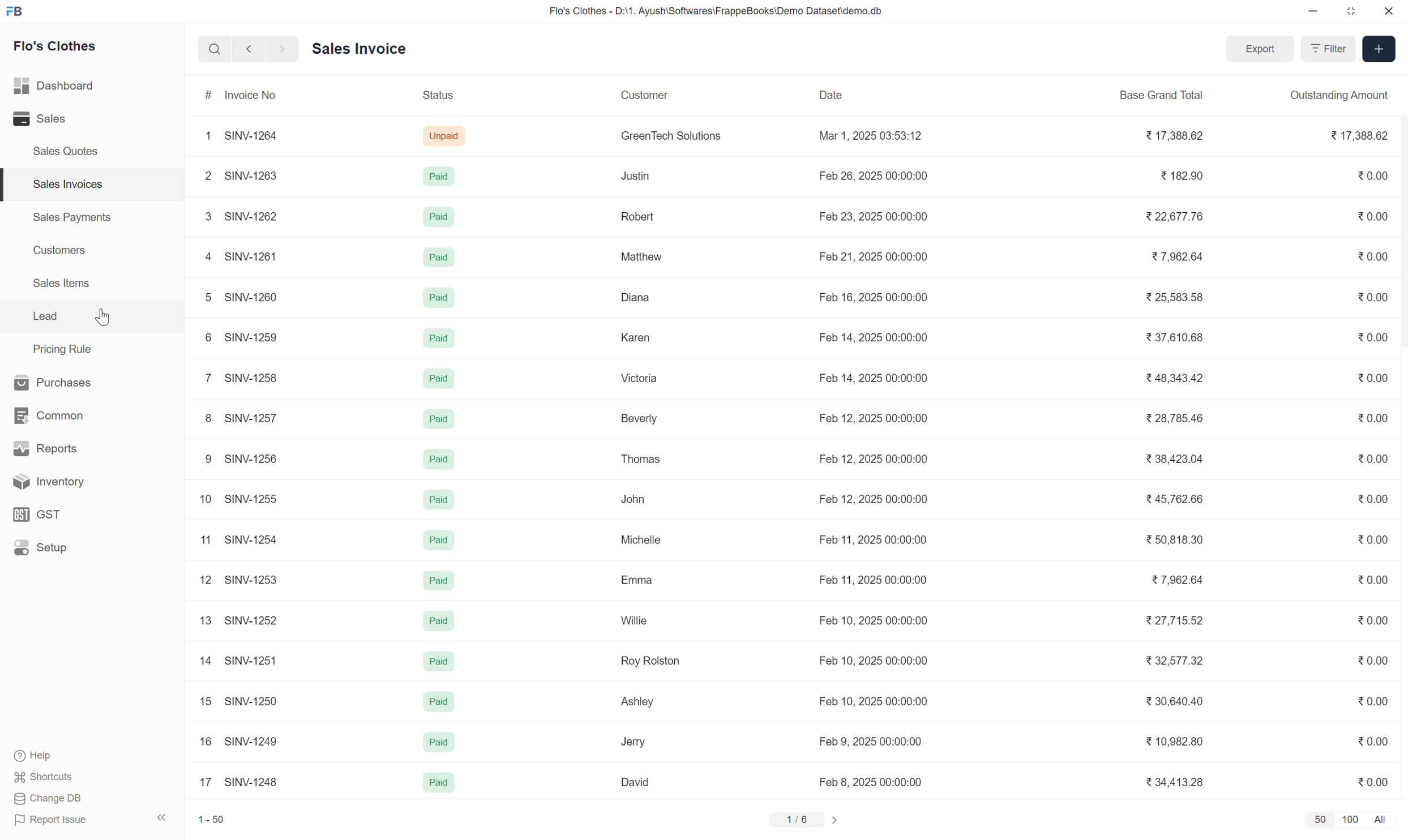  Describe the element at coordinates (203, 255) in the screenshot. I see `4` at that location.